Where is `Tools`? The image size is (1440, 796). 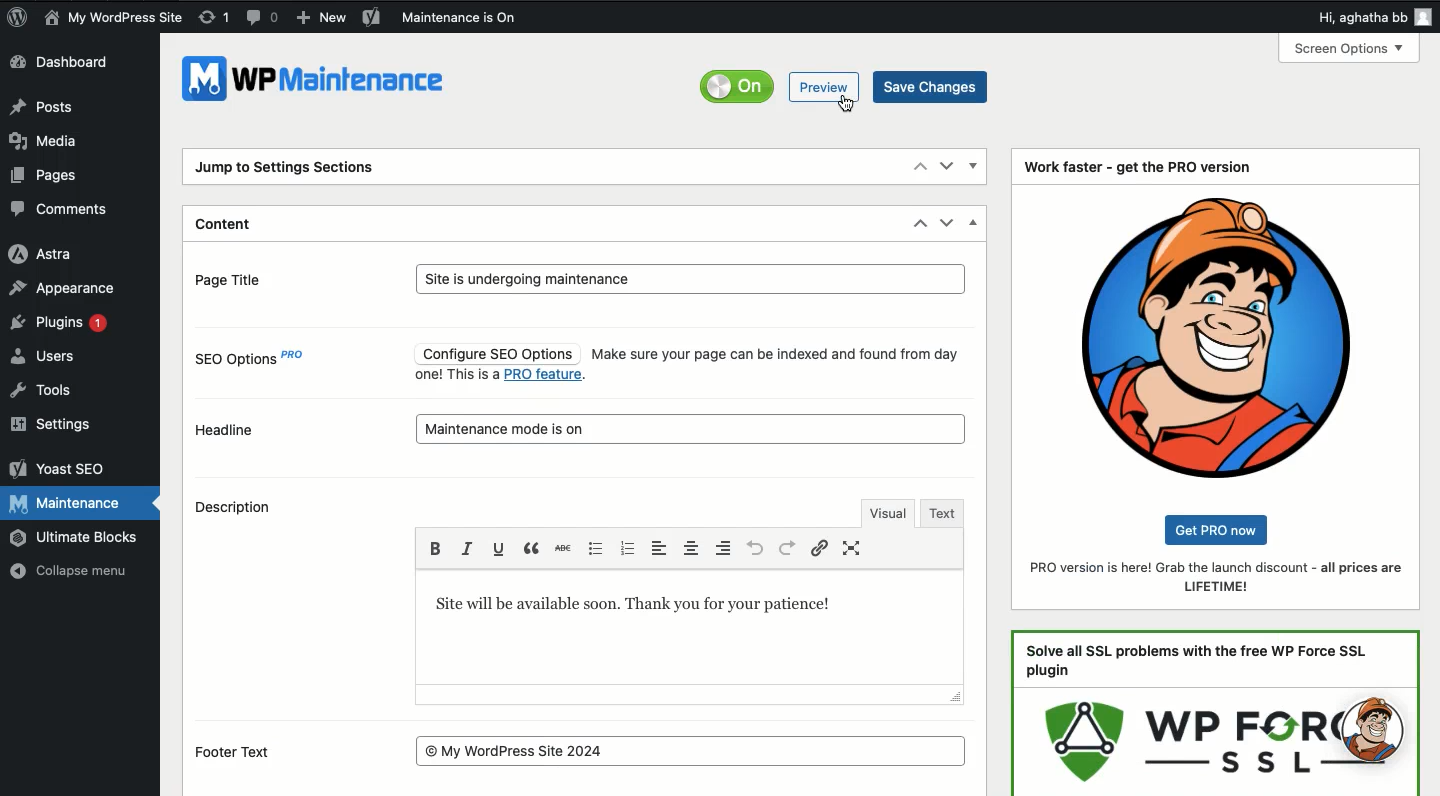 Tools is located at coordinates (42, 392).